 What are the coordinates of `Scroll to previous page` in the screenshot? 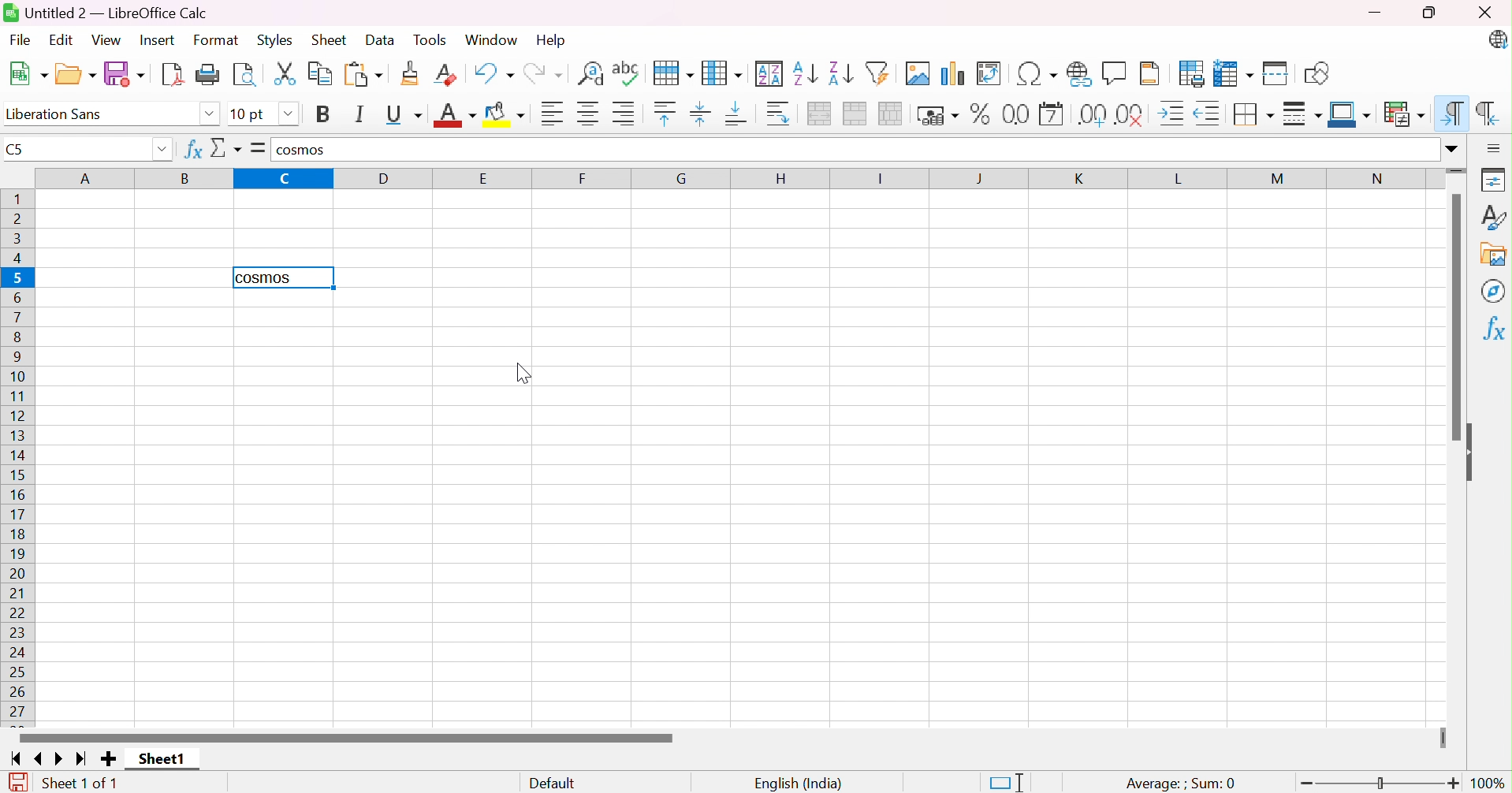 It's located at (39, 757).